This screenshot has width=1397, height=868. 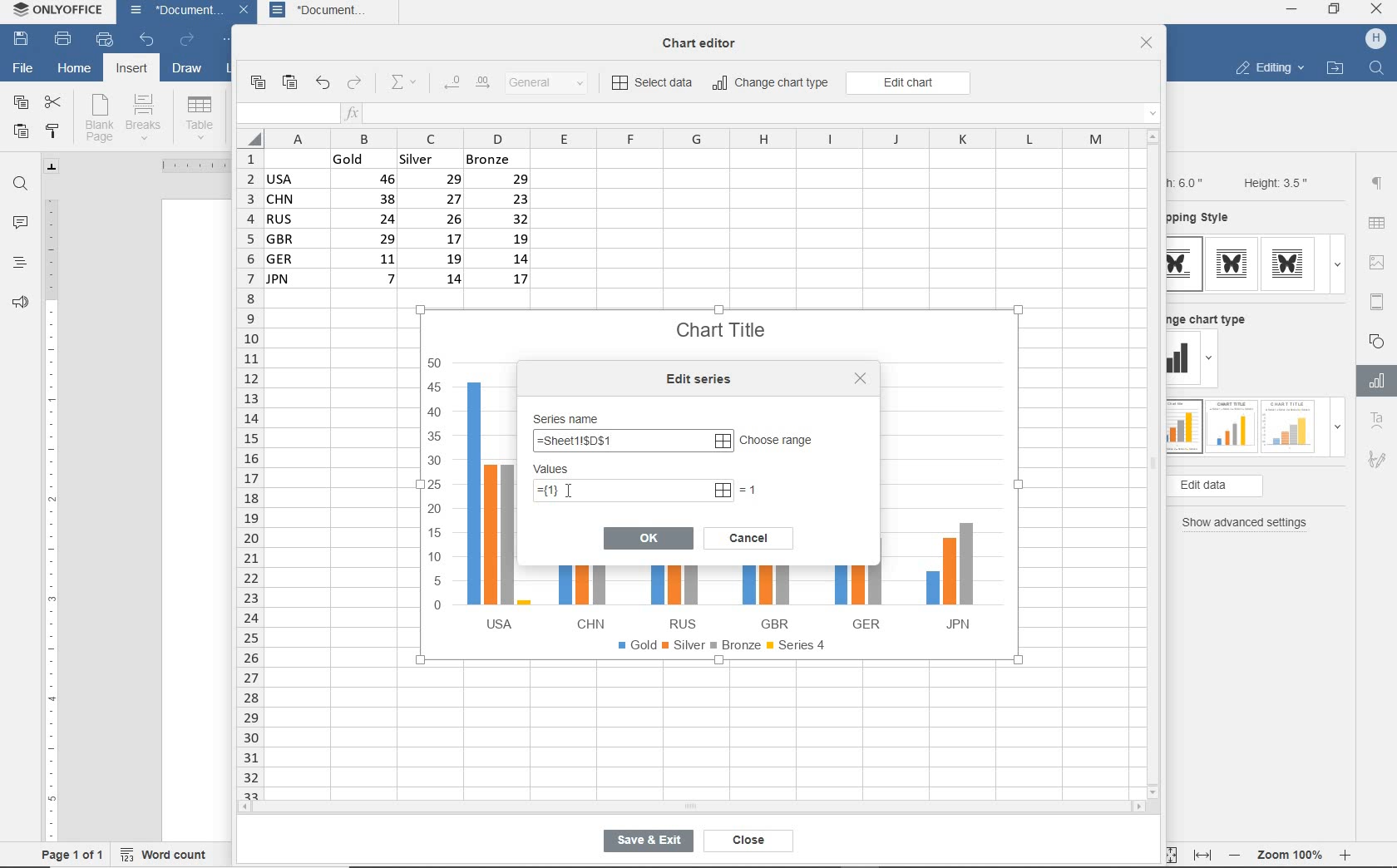 What do you see at coordinates (248, 473) in the screenshot?
I see `rows` at bounding box center [248, 473].